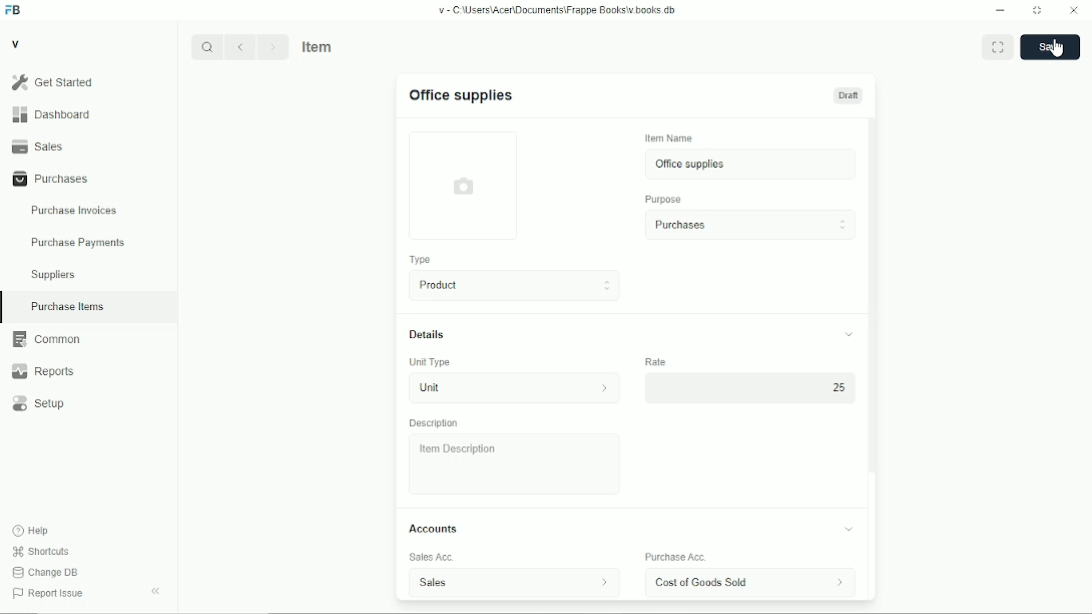 The width and height of the screenshot is (1092, 614). I want to click on unit, so click(490, 388).